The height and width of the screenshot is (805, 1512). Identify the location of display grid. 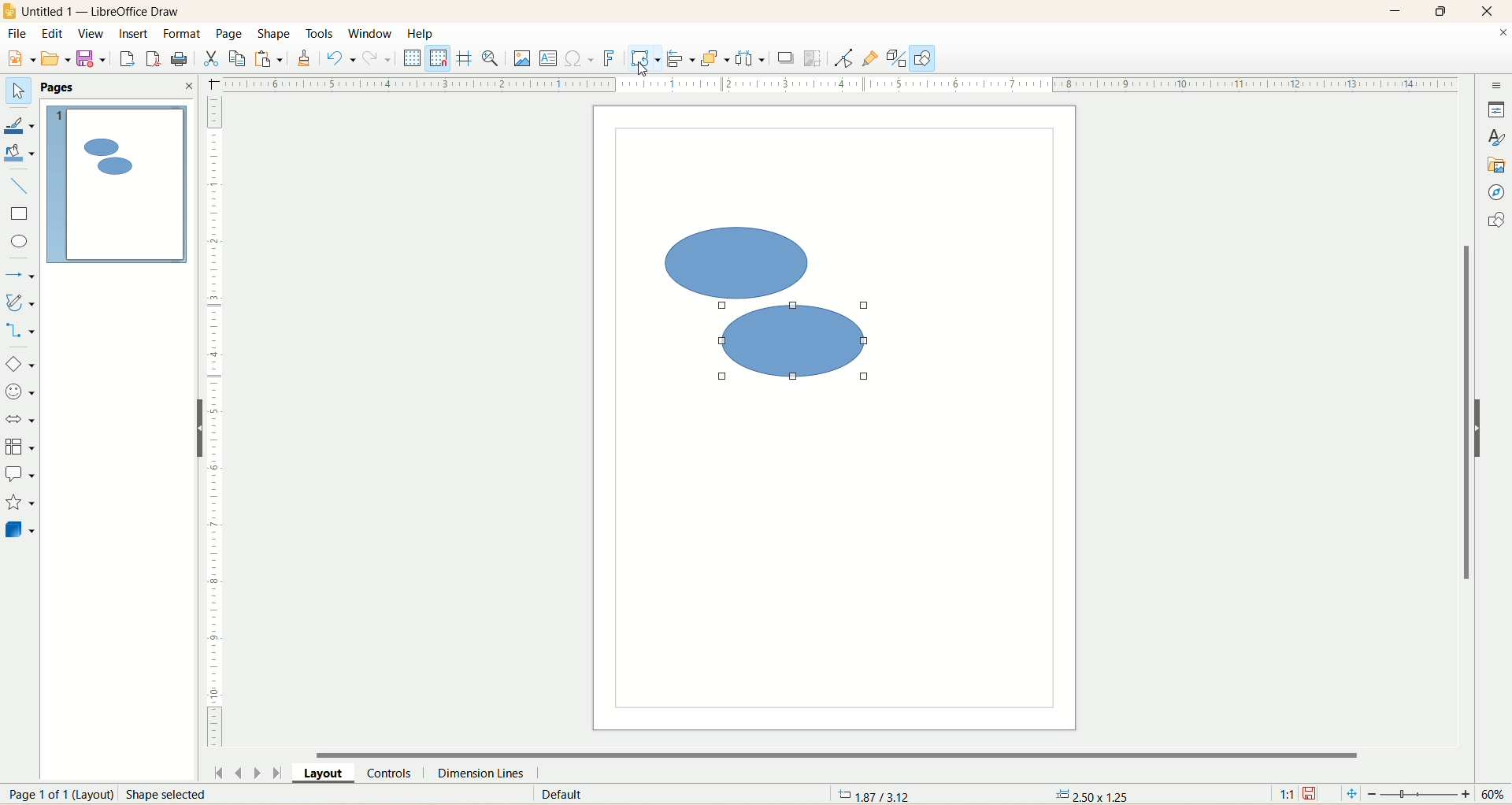
(413, 58).